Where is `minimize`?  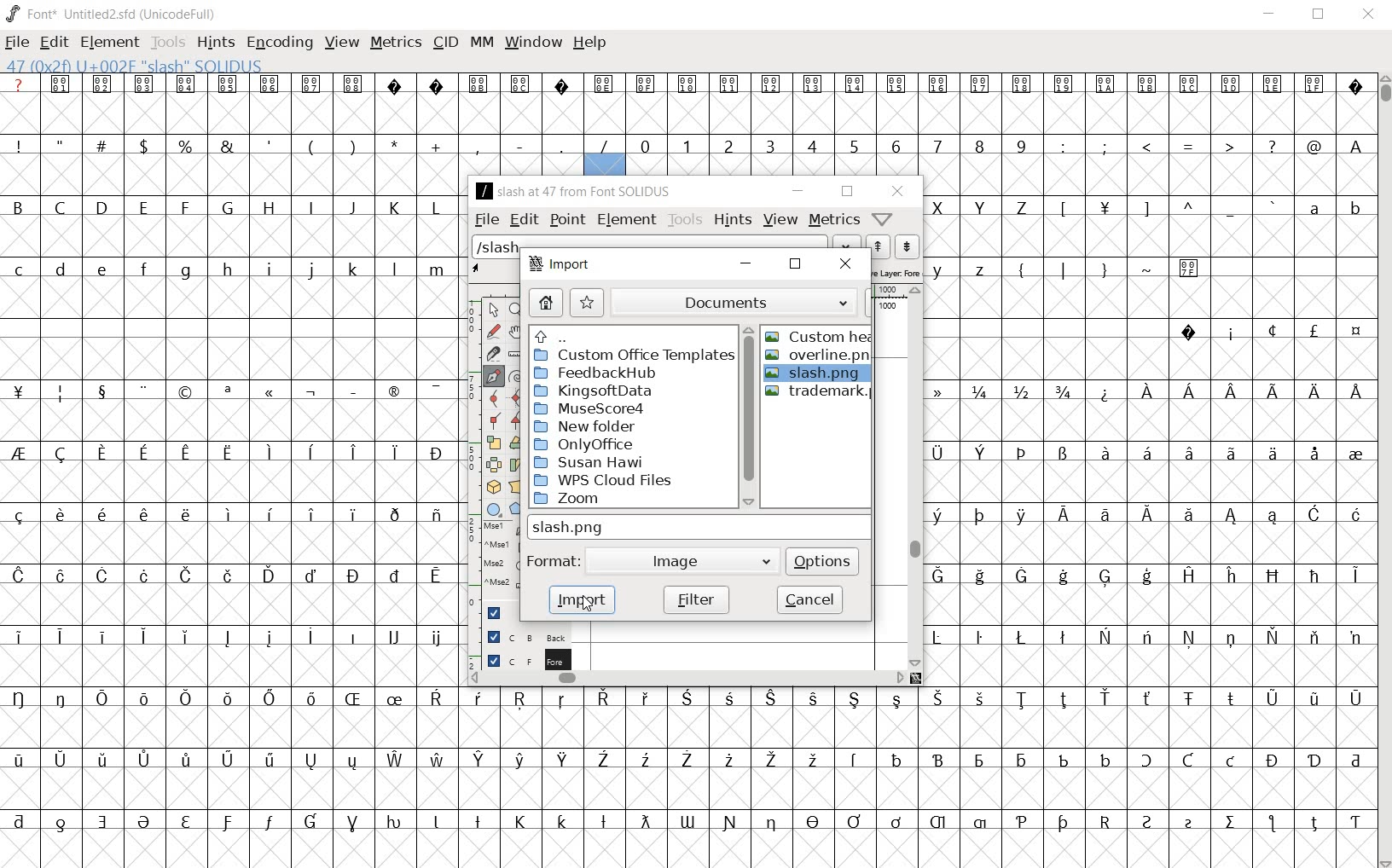
minimize is located at coordinates (745, 263).